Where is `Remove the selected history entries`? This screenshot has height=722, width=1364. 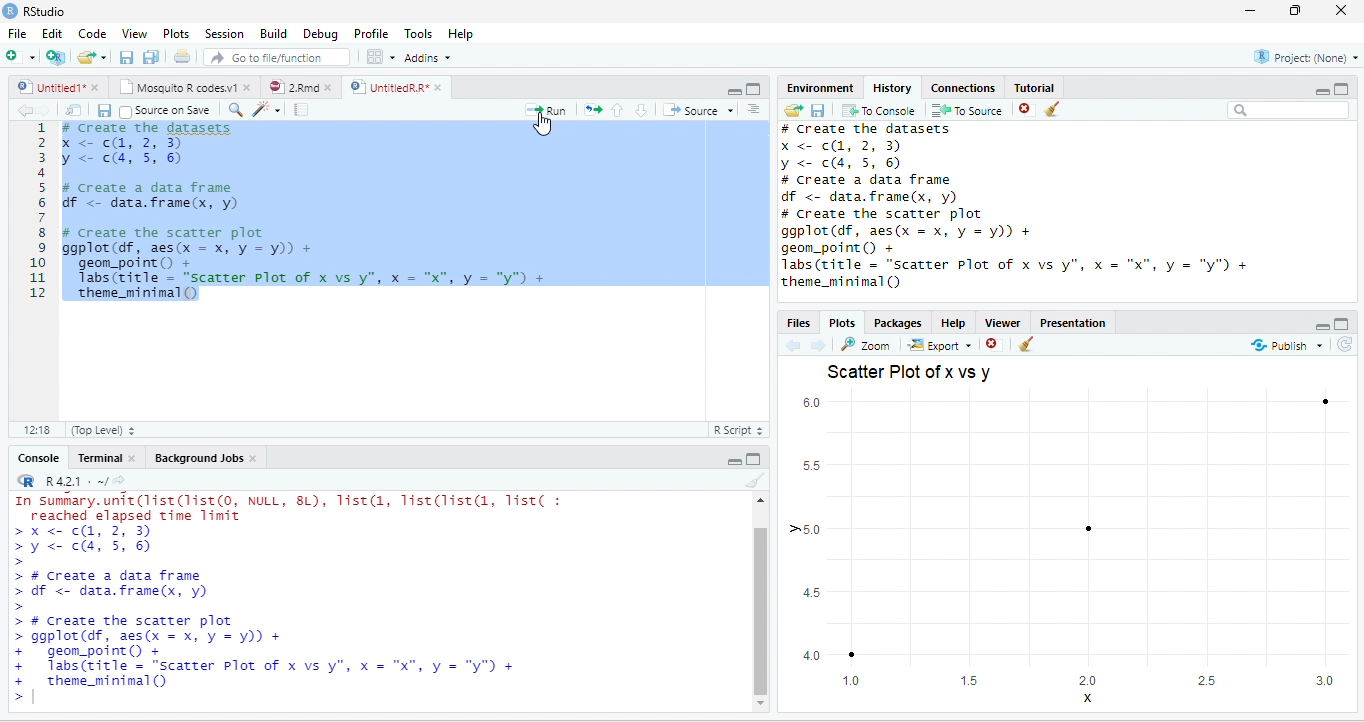
Remove the selected history entries is located at coordinates (1027, 110).